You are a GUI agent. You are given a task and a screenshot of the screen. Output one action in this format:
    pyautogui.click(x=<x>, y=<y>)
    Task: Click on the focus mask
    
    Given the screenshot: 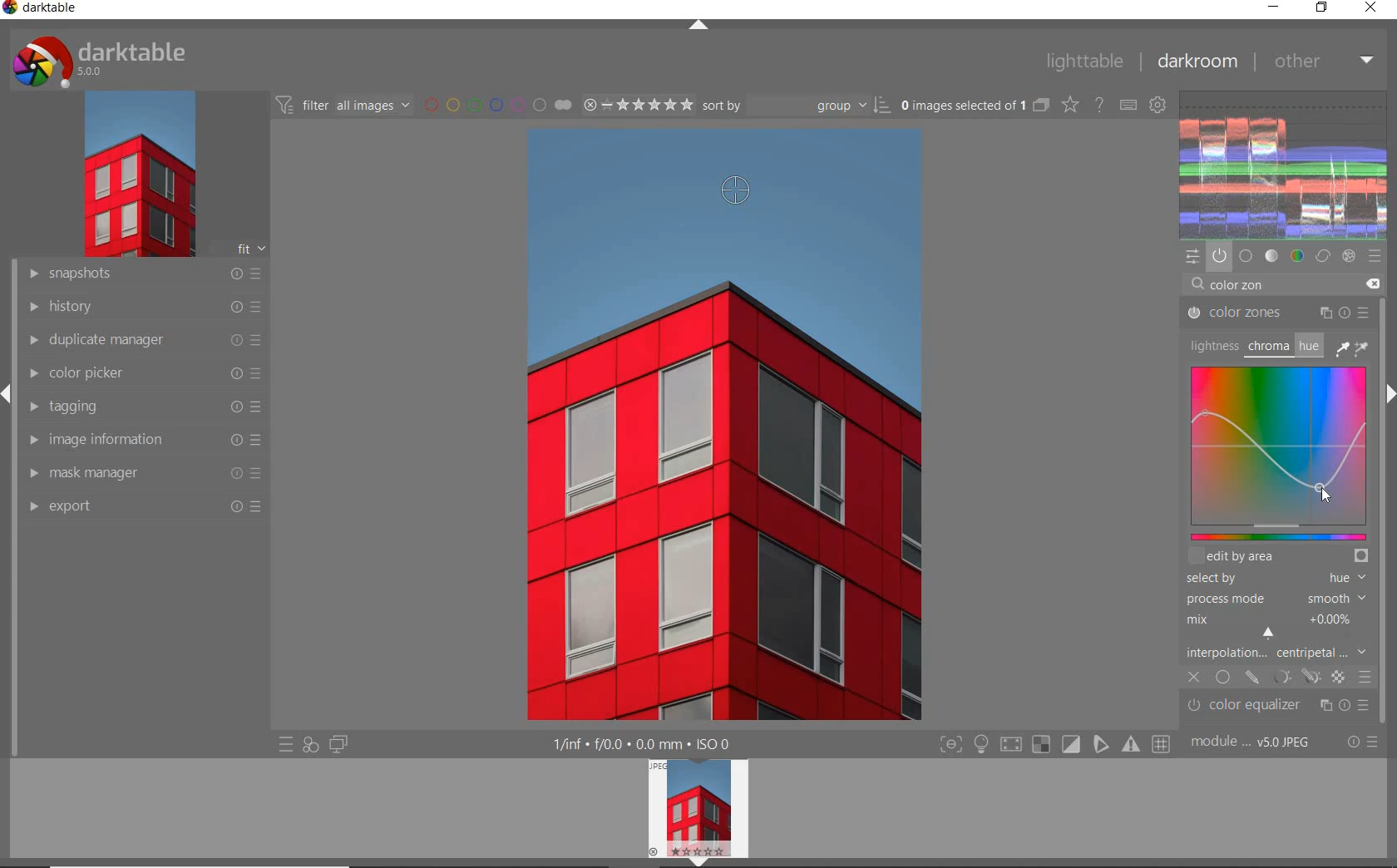 What is the action you would take?
    pyautogui.click(x=1128, y=745)
    